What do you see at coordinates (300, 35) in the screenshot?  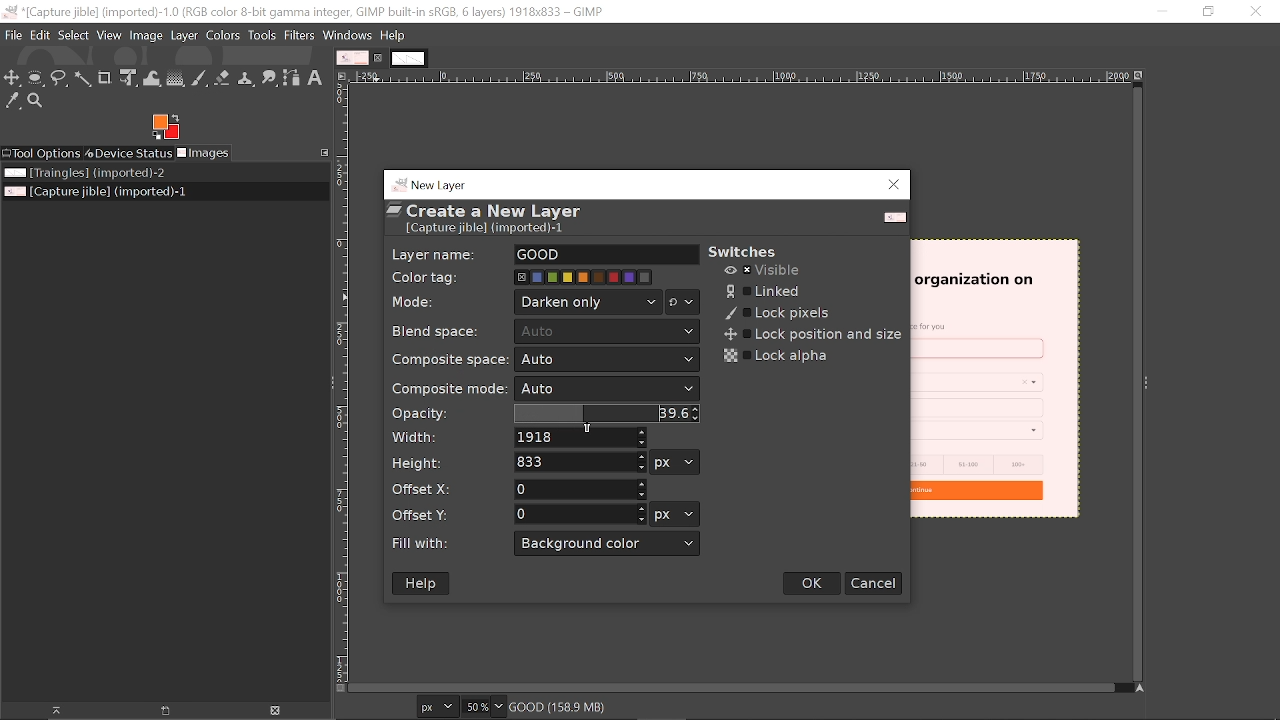 I see `Filters` at bounding box center [300, 35].